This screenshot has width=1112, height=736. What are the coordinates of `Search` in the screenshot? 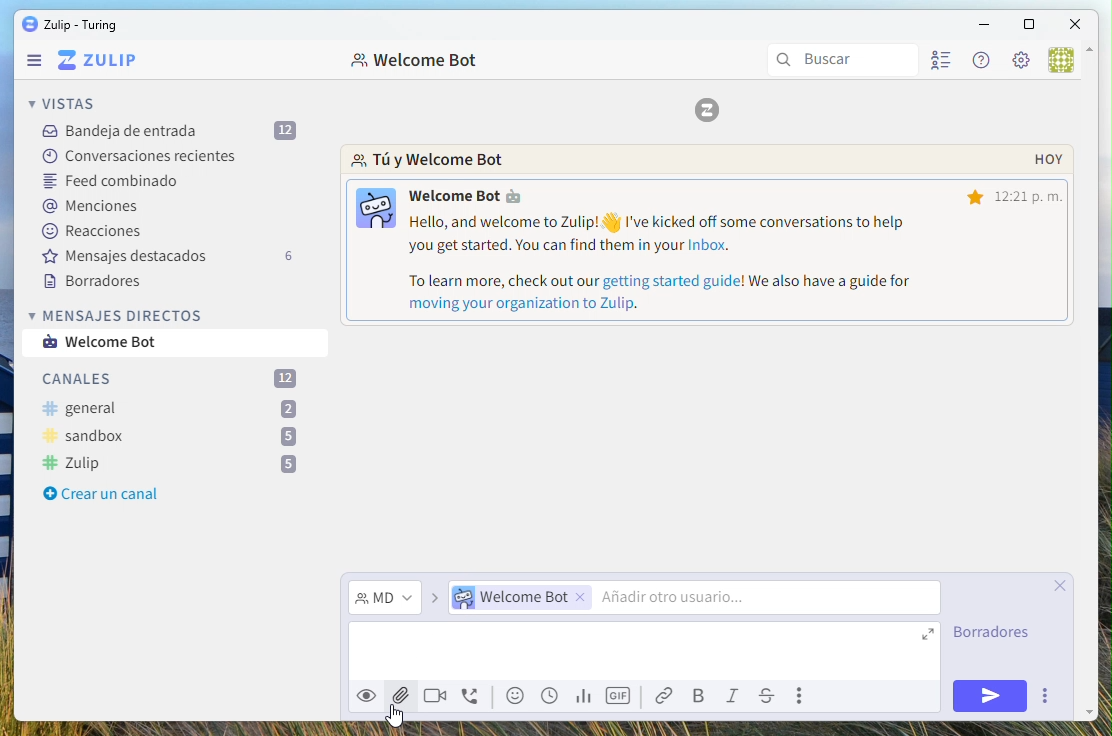 It's located at (844, 60).